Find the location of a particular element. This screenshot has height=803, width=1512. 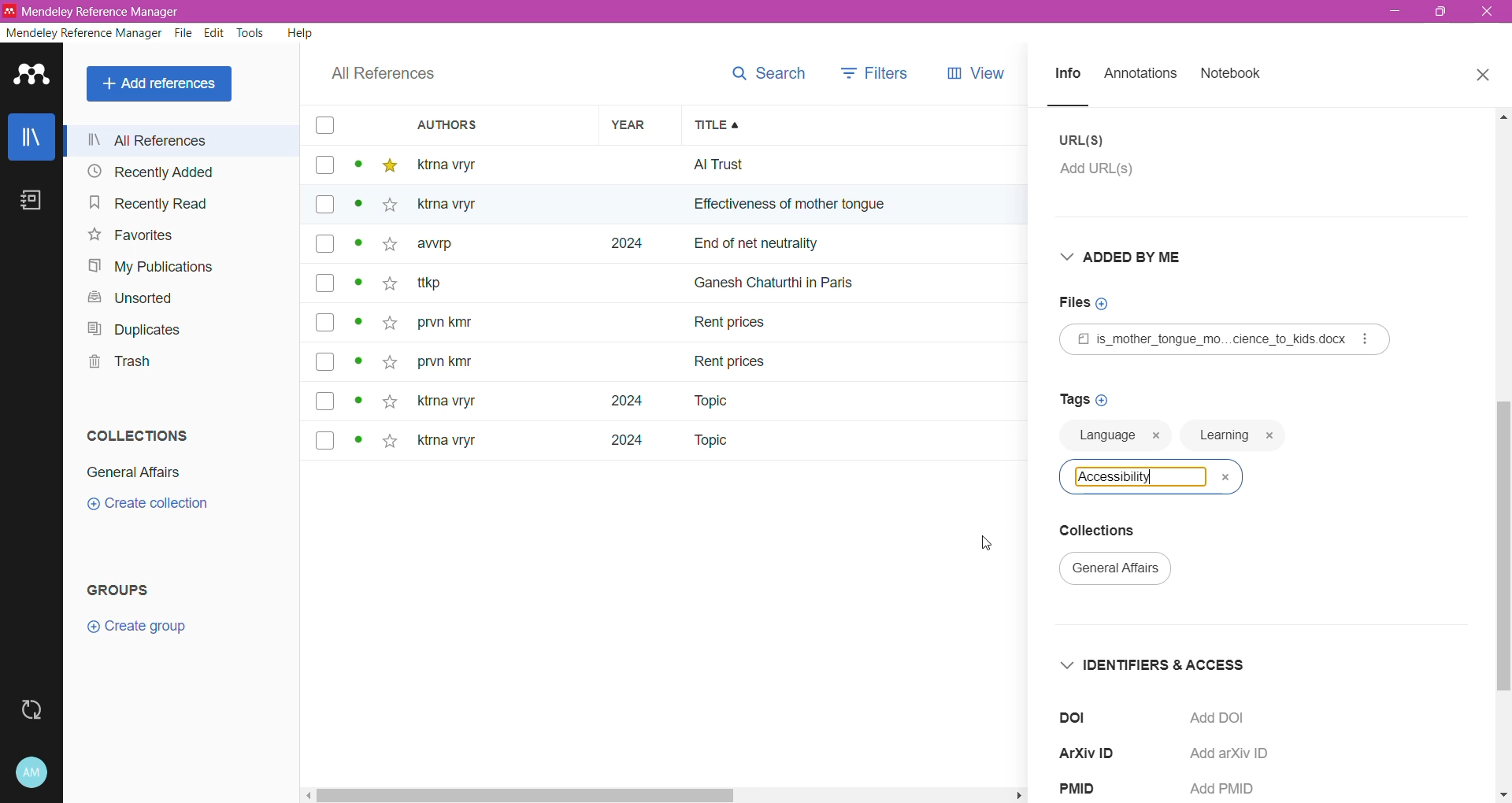

ArXiV ID is located at coordinates (1097, 751).